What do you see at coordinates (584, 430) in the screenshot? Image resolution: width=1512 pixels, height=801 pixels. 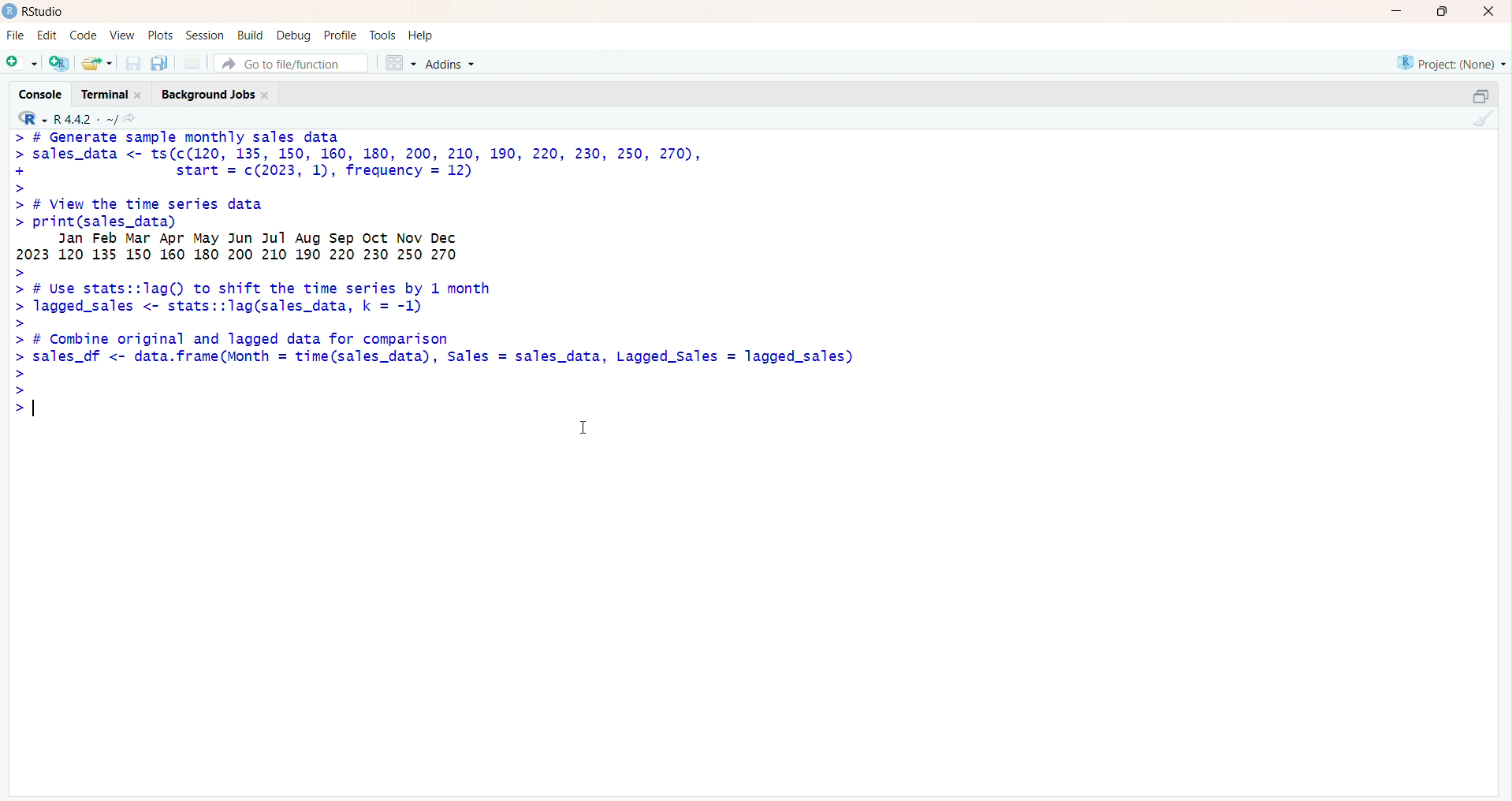 I see `cursor` at bounding box center [584, 430].